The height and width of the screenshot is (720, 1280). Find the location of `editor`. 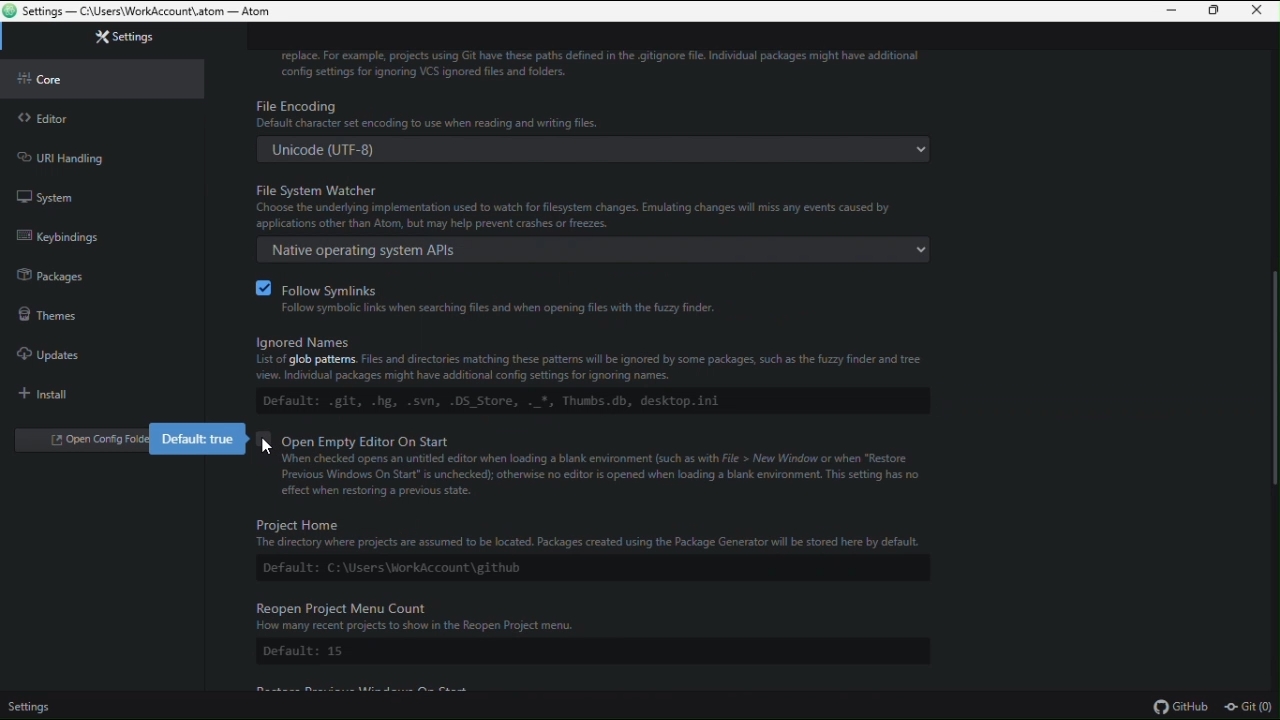

editor is located at coordinates (76, 122).